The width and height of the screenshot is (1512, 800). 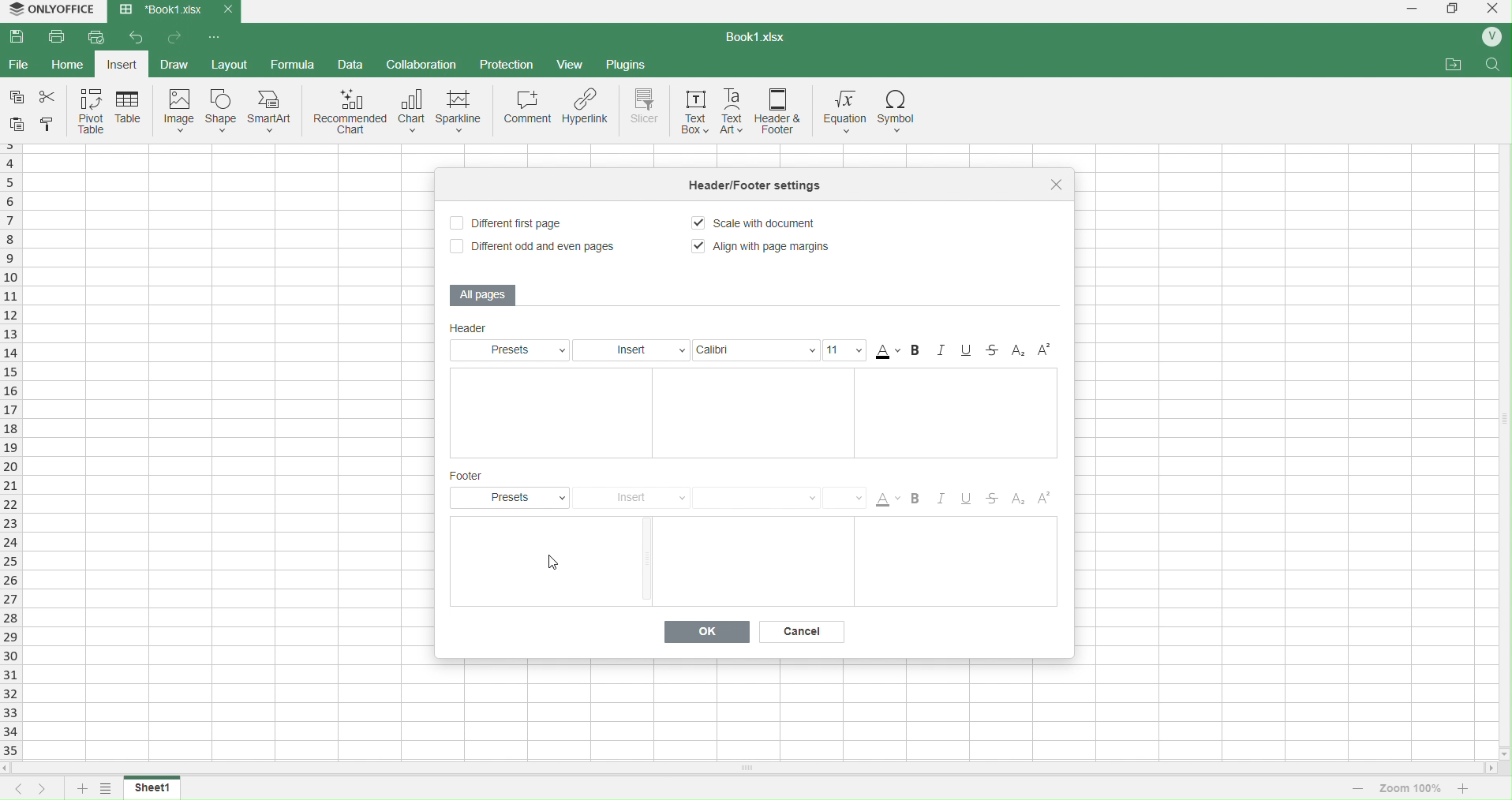 What do you see at coordinates (1410, 11) in the screenshot?
I see `minimize` at bounding box center [1410, 11].